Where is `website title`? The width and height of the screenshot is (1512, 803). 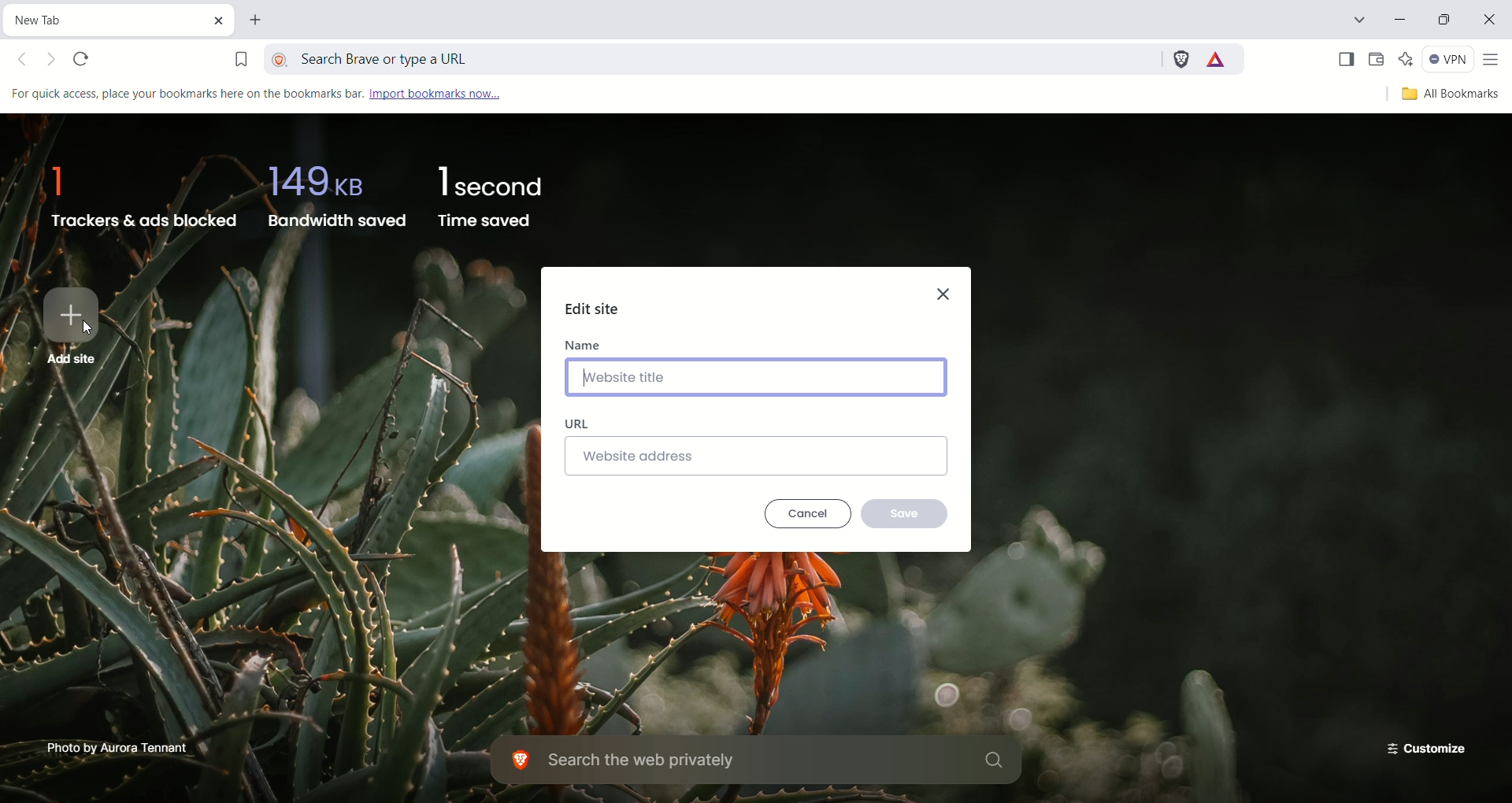
website title is located at coordinates (758, 376).